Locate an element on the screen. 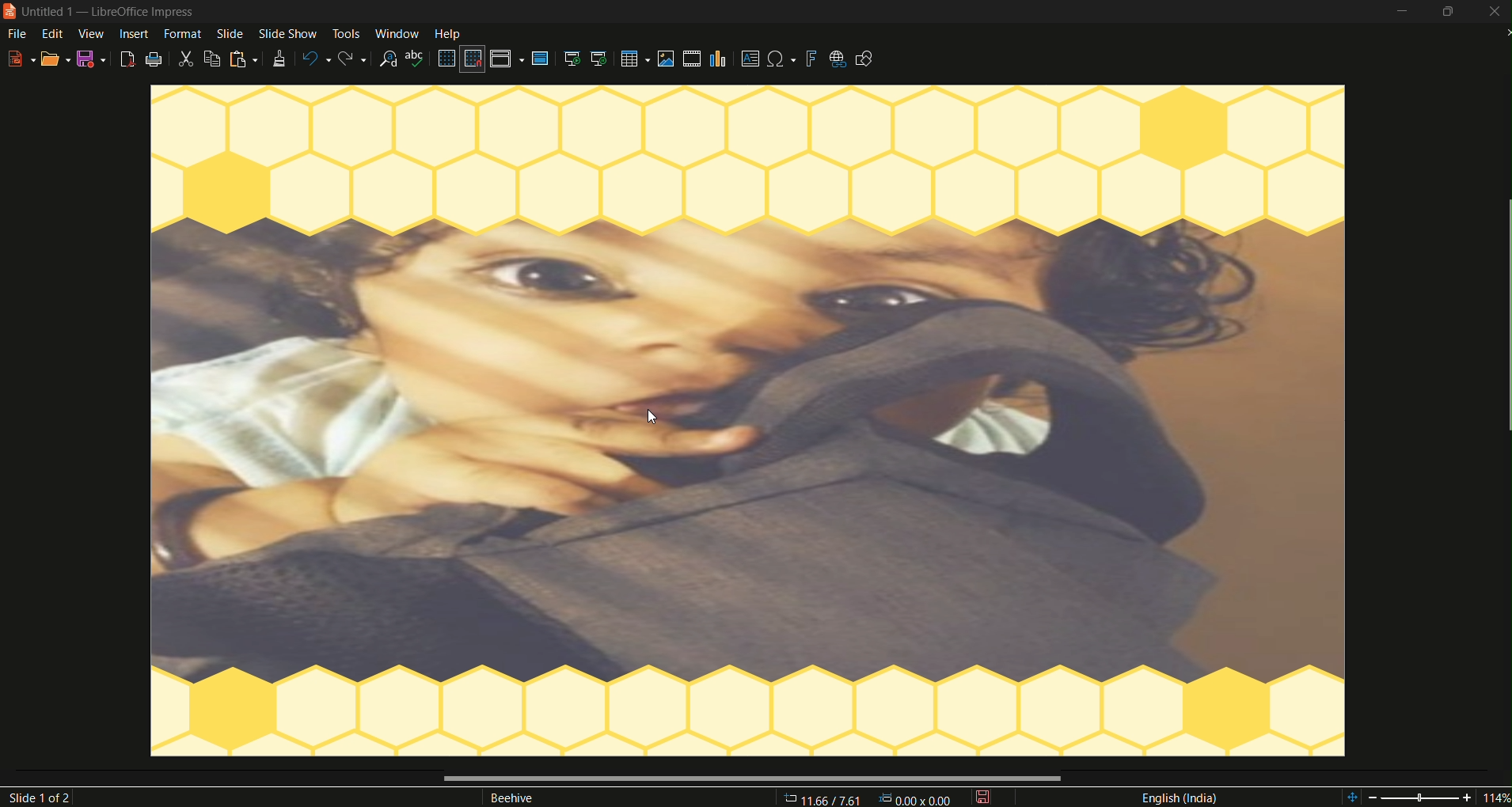 The width and height of the screenshot is (1512, 807). slide 1of2 is located at coordinates (44, 798).